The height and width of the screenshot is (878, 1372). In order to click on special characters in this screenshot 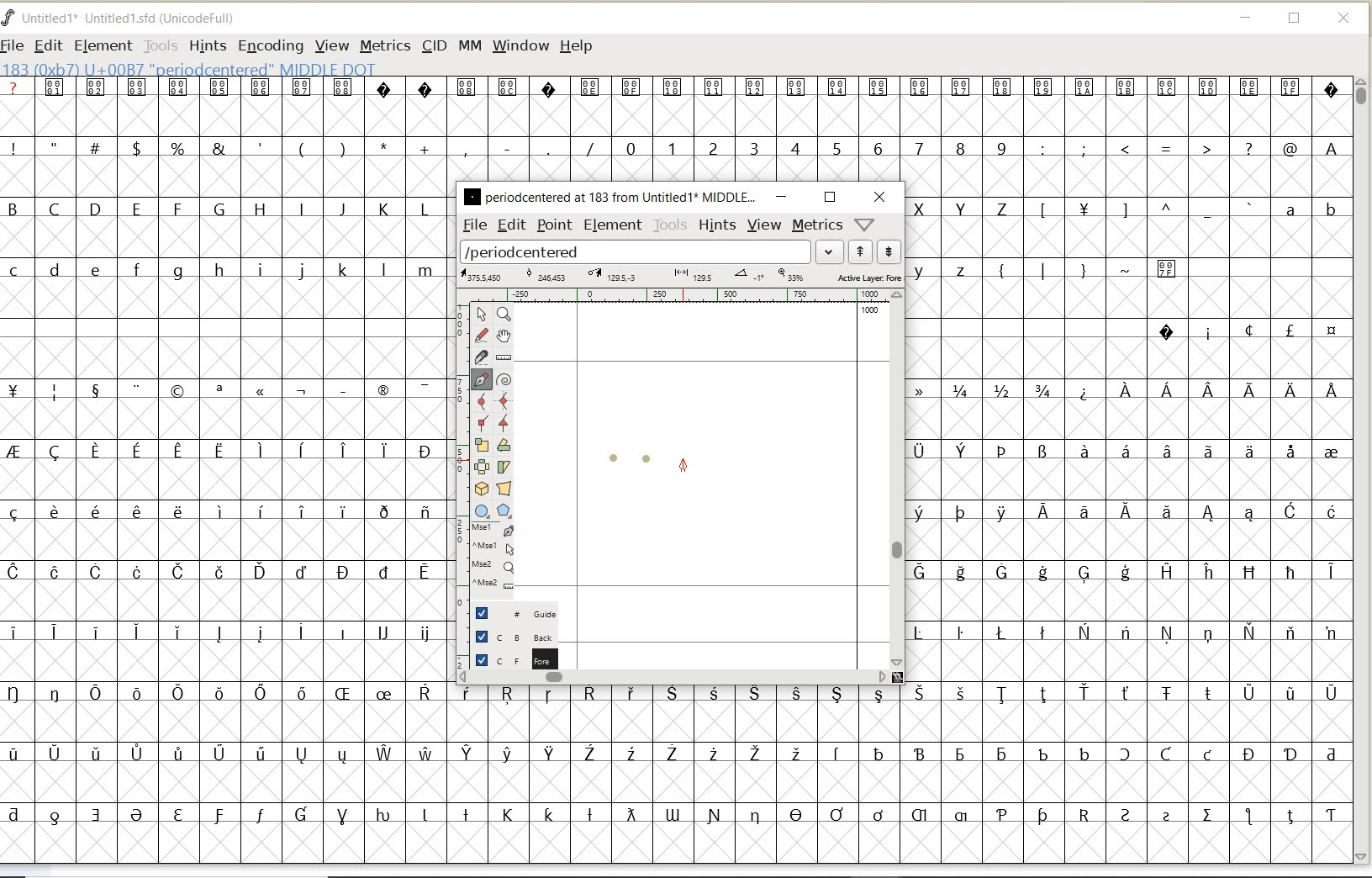, I will do `click(1108, 276)`.